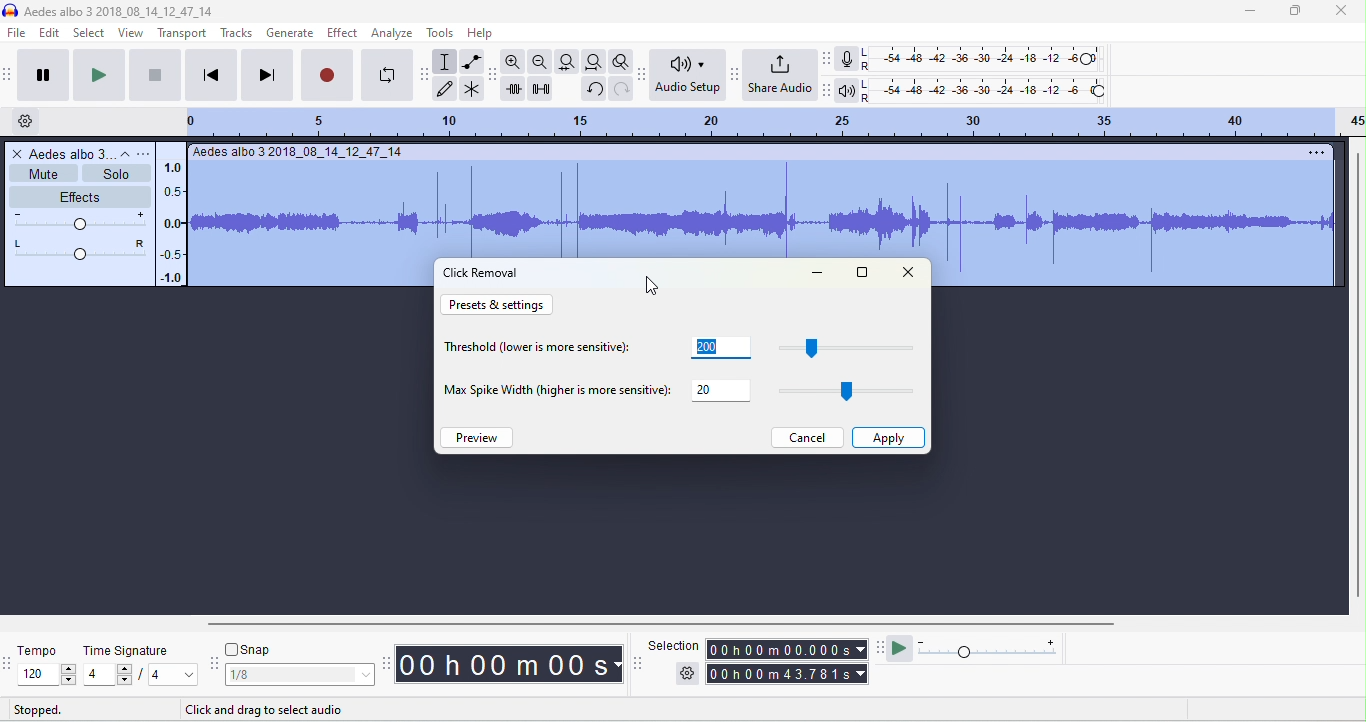 The image size is (1366, 722). I want to click on select, so click(90, 33).